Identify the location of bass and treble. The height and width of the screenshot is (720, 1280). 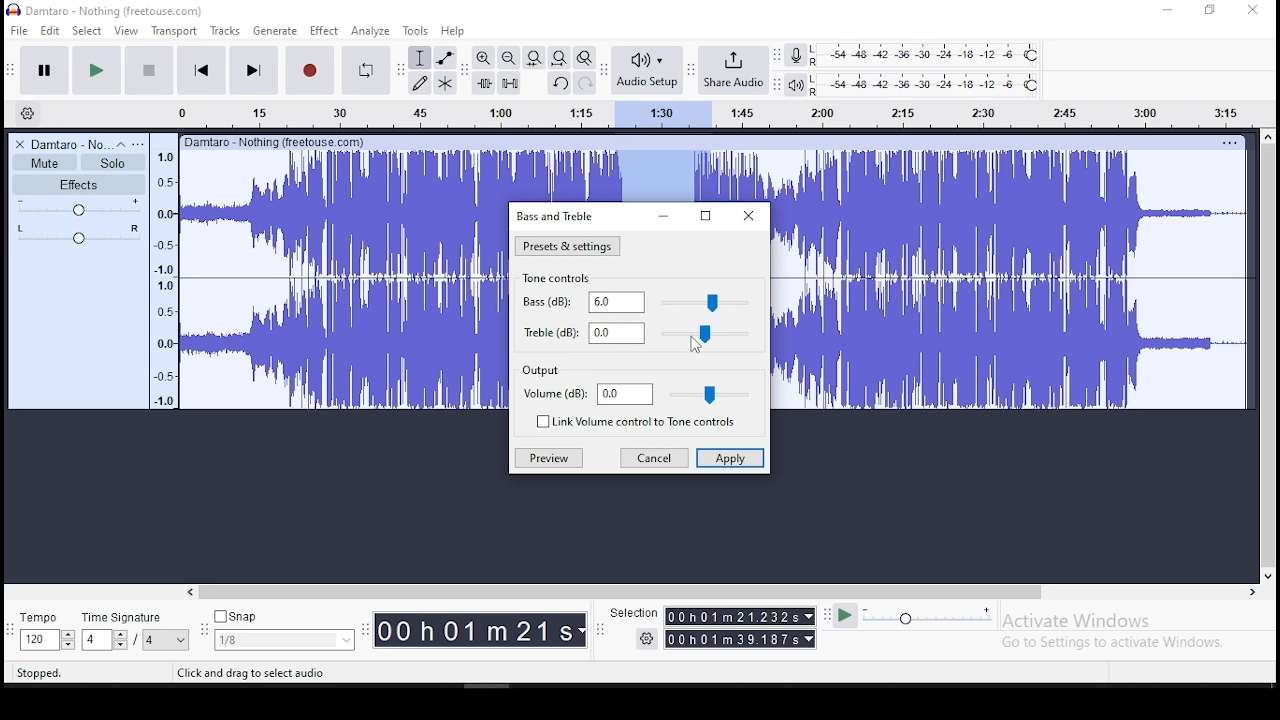
(557, 215).